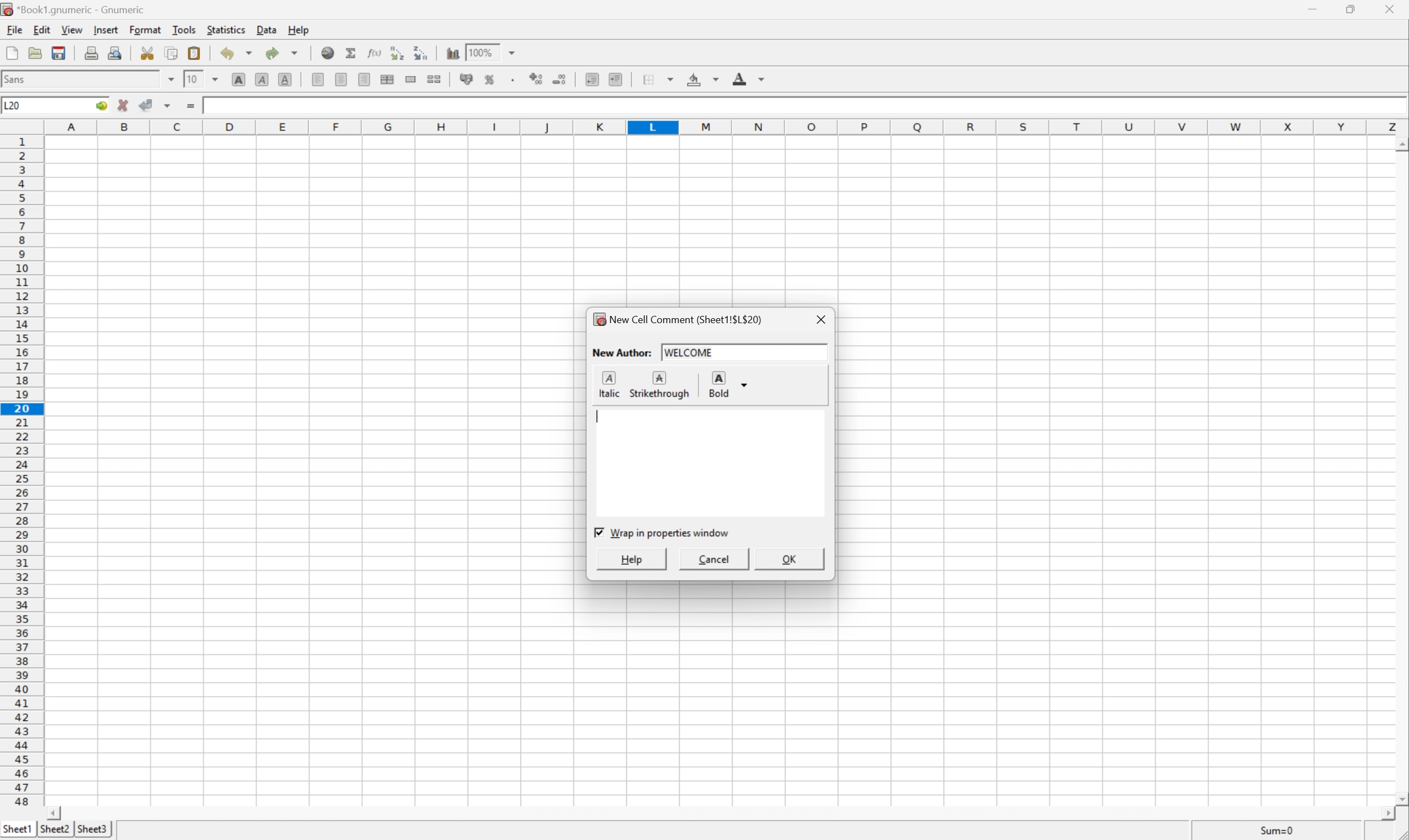 The width and height of the screenshot is (1409, 840). I want to click on Increase number of decimals displayed, so click(537, 79).